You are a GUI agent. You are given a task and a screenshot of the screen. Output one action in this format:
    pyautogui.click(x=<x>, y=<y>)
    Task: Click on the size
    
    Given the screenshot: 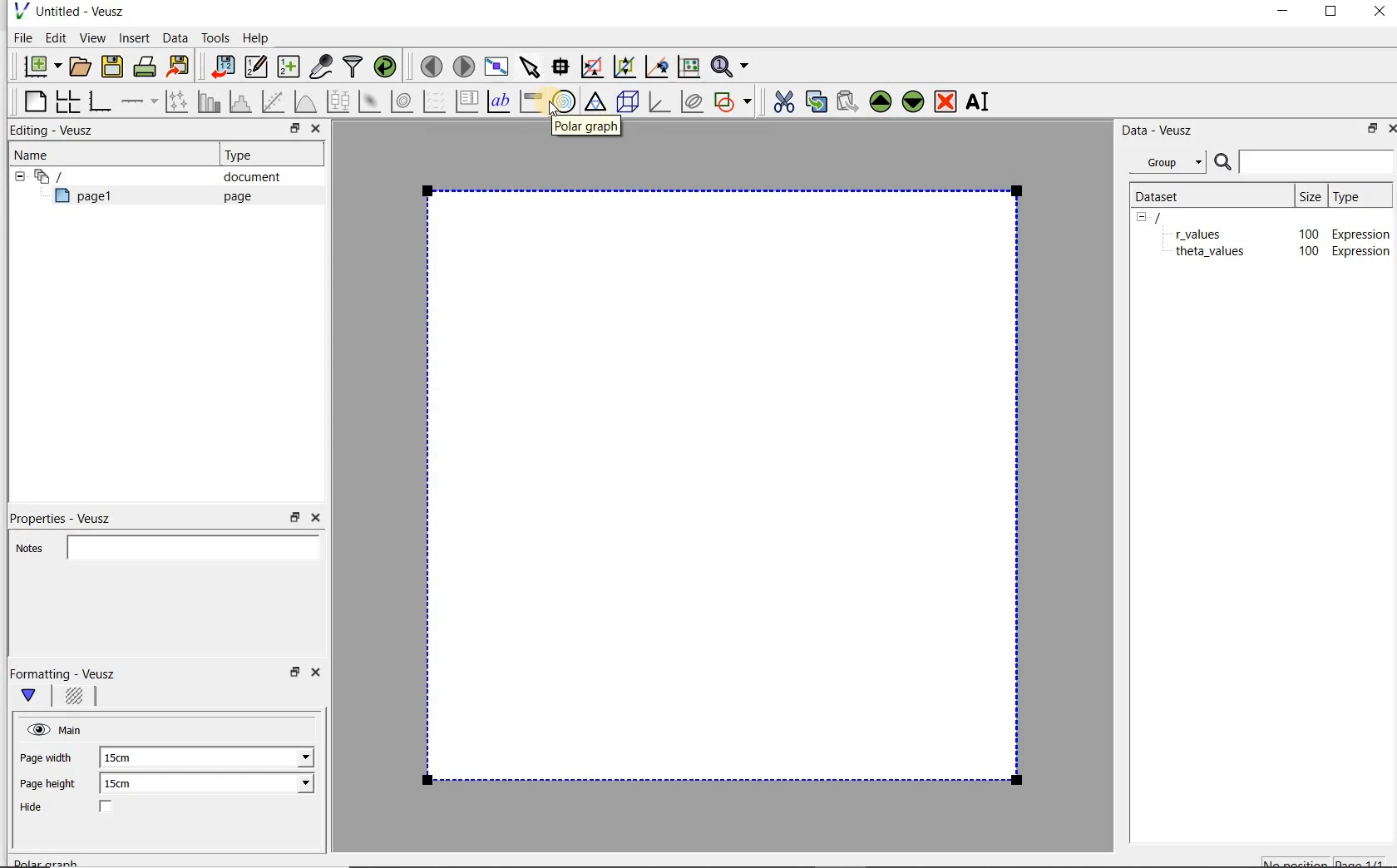 What is the action you would take?
    pyautogui.click(x=1309, y=194)
    